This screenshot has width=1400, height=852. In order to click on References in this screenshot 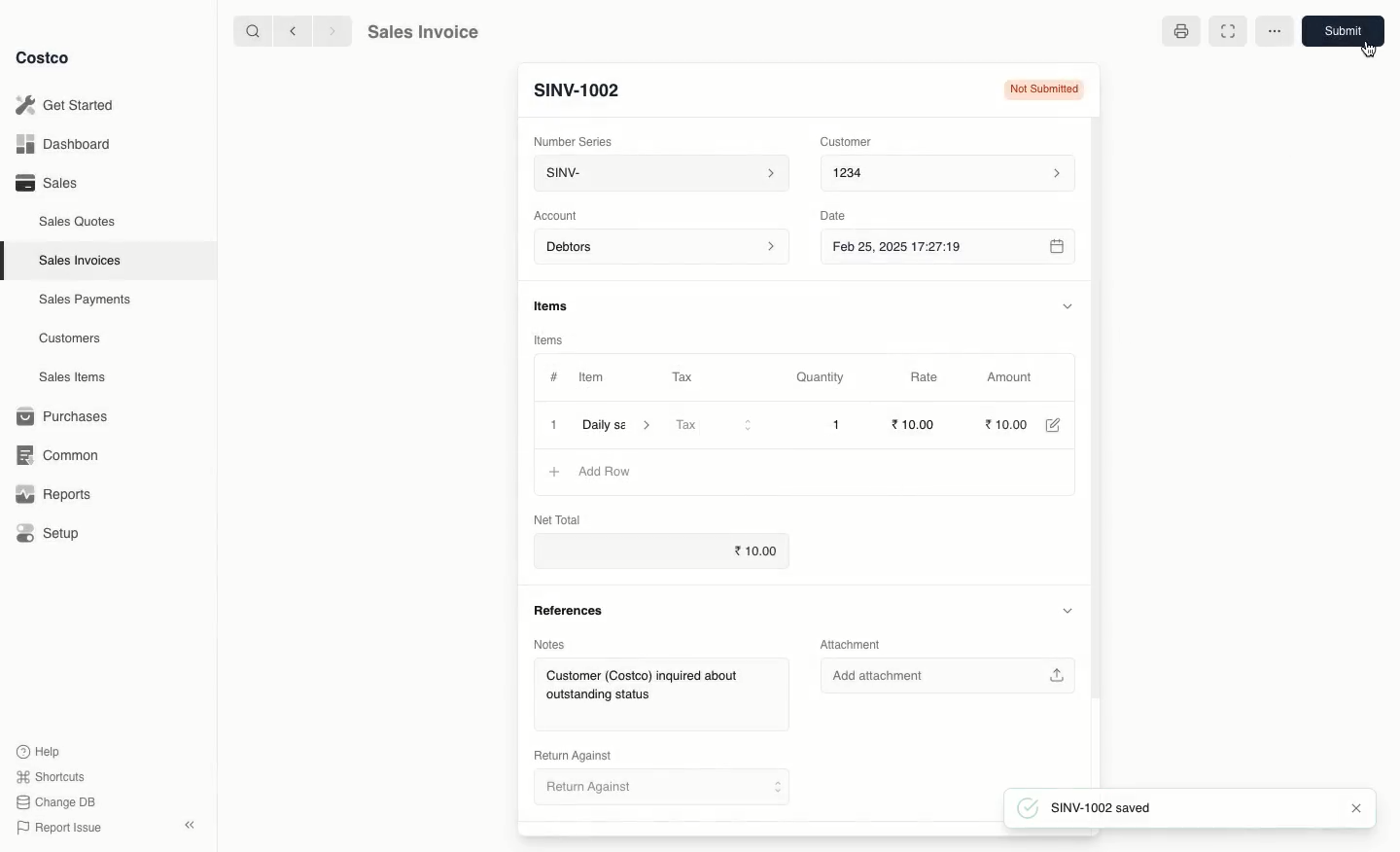, I will do `click(576, 611)`.